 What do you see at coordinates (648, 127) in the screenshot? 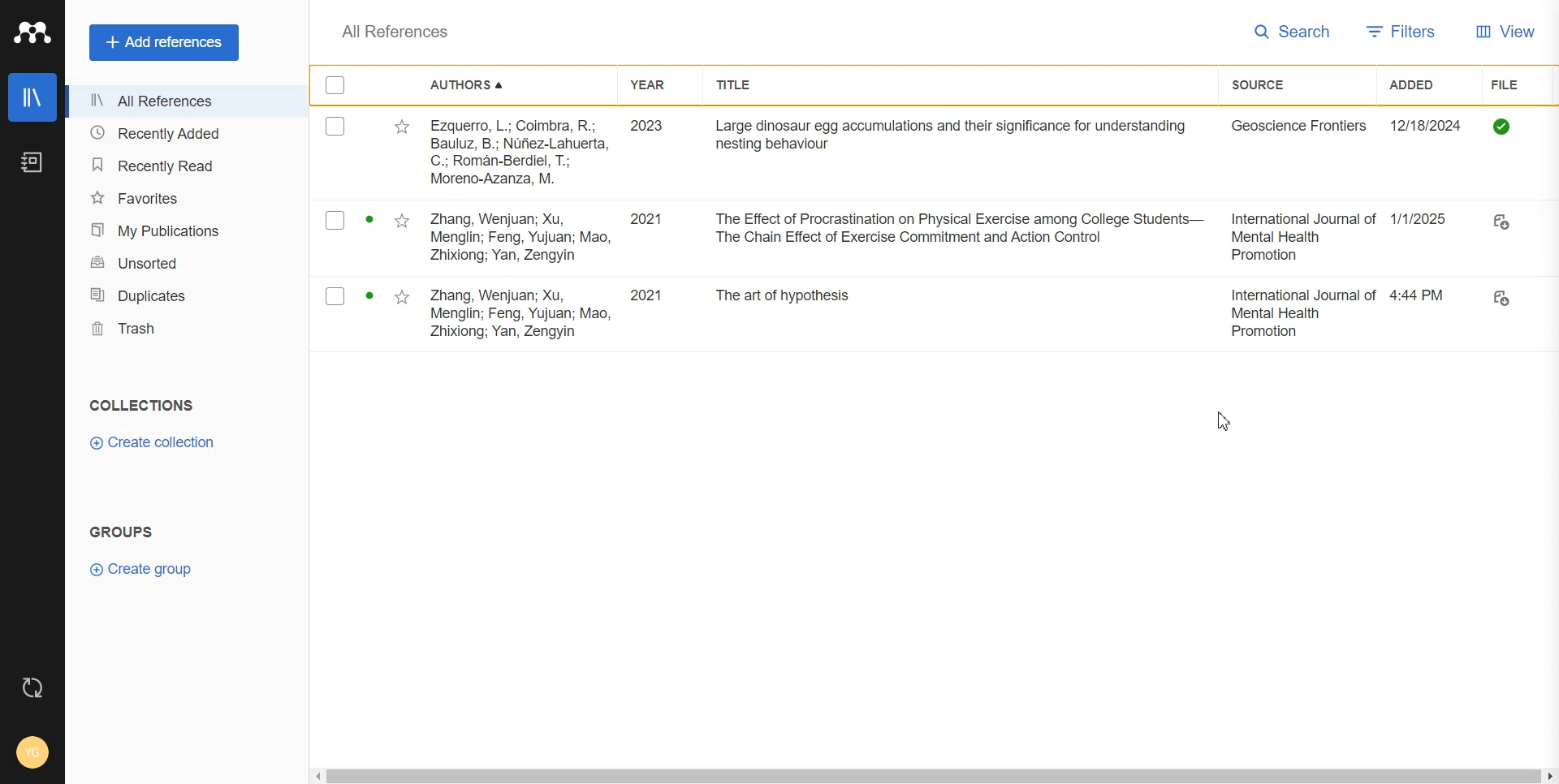
I see `2023` at bounding box center [648, 127].